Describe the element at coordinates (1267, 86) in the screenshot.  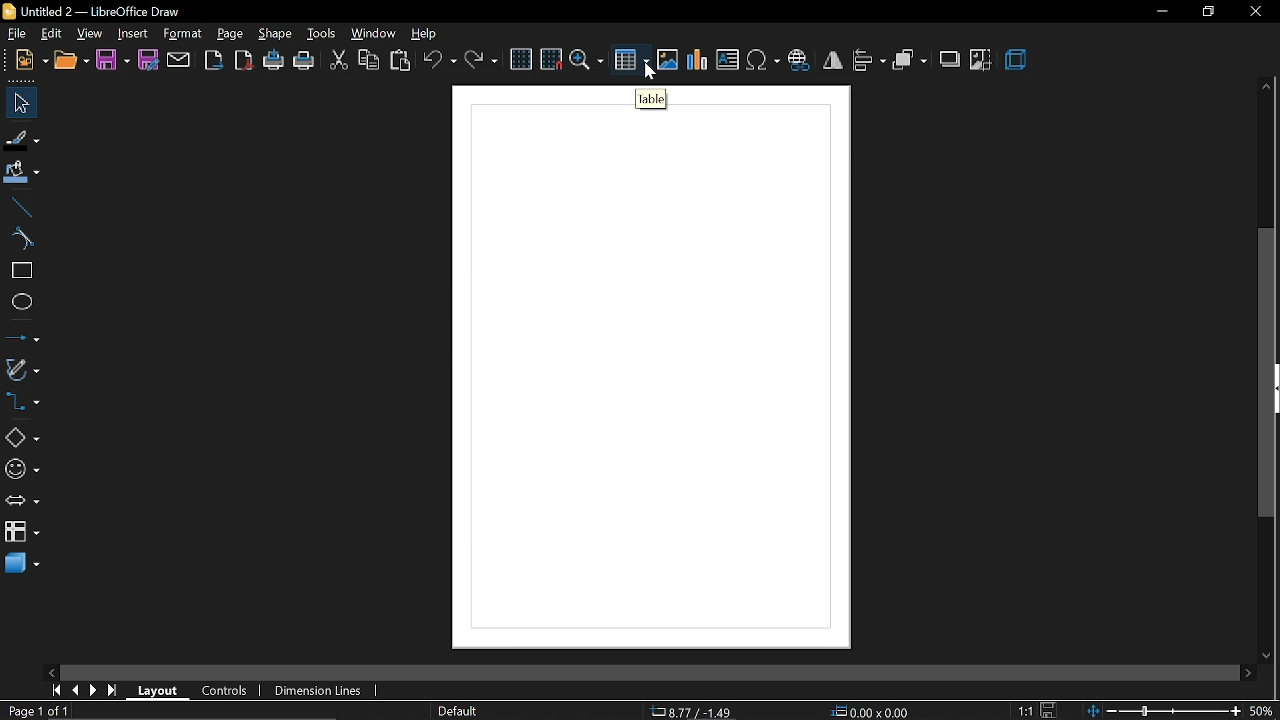
I see `move up` at that location.